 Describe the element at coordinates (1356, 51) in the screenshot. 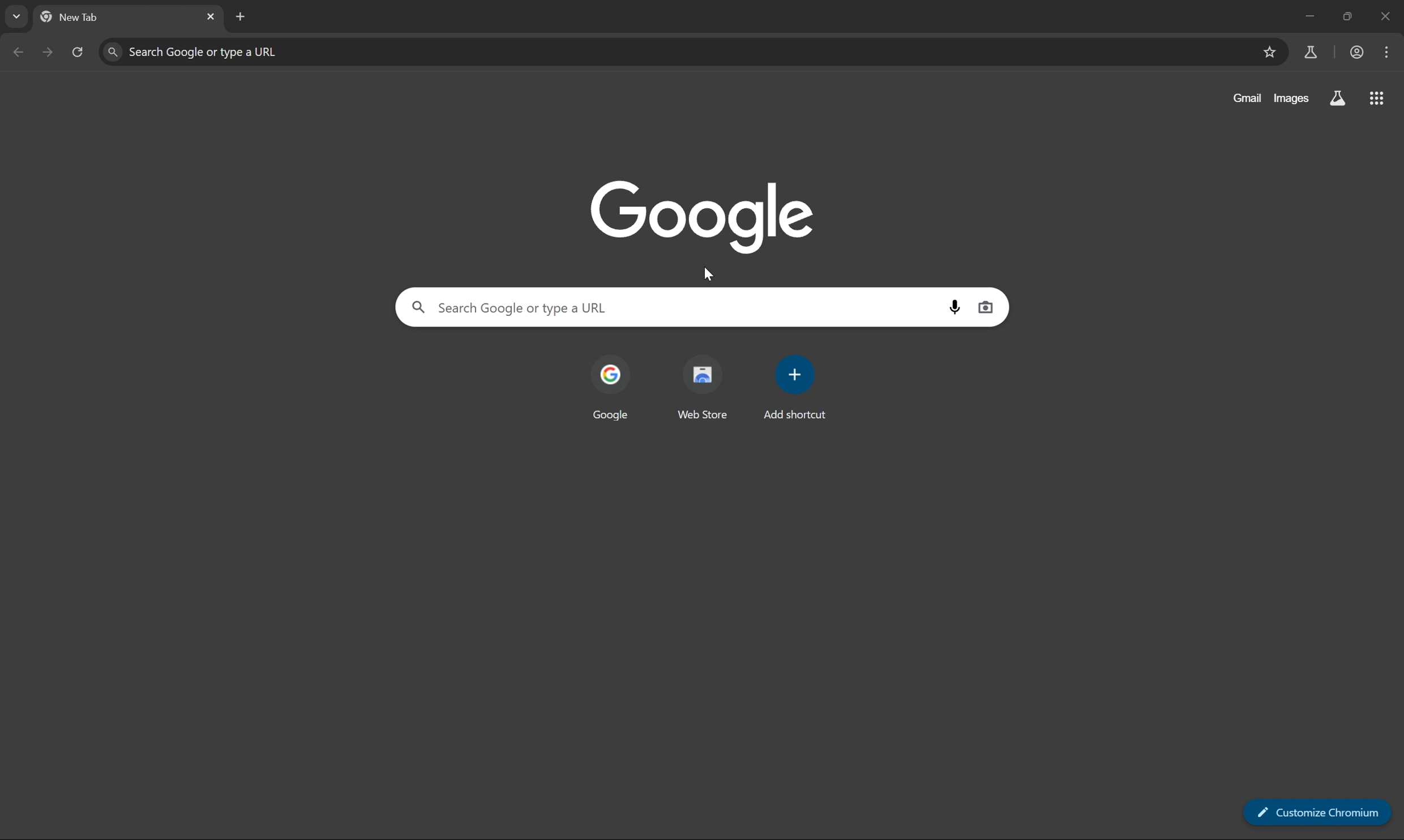

I see `work` at that location.